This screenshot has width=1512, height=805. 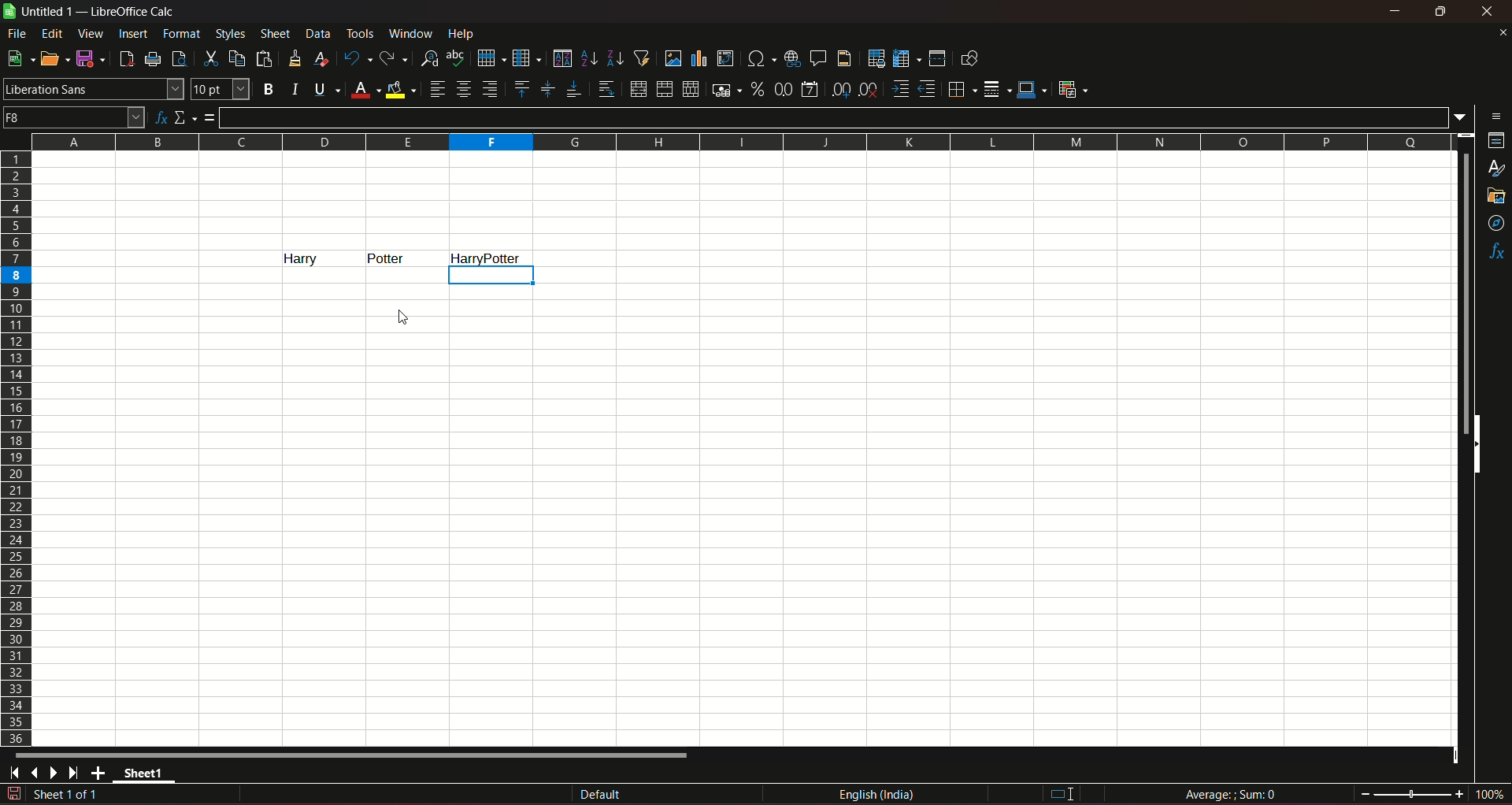 I want to click on name box, so click(x=74, y=116).